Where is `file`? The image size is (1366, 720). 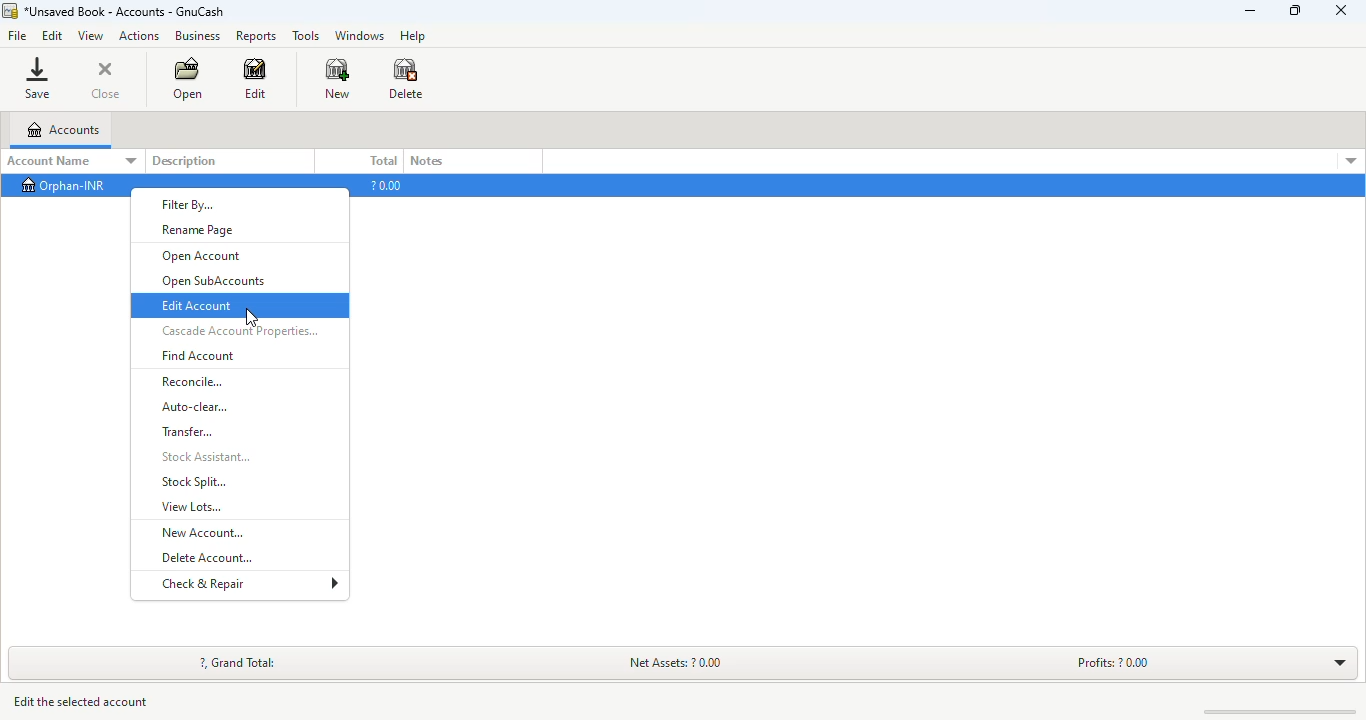 file is located at coordinates (17, 35).